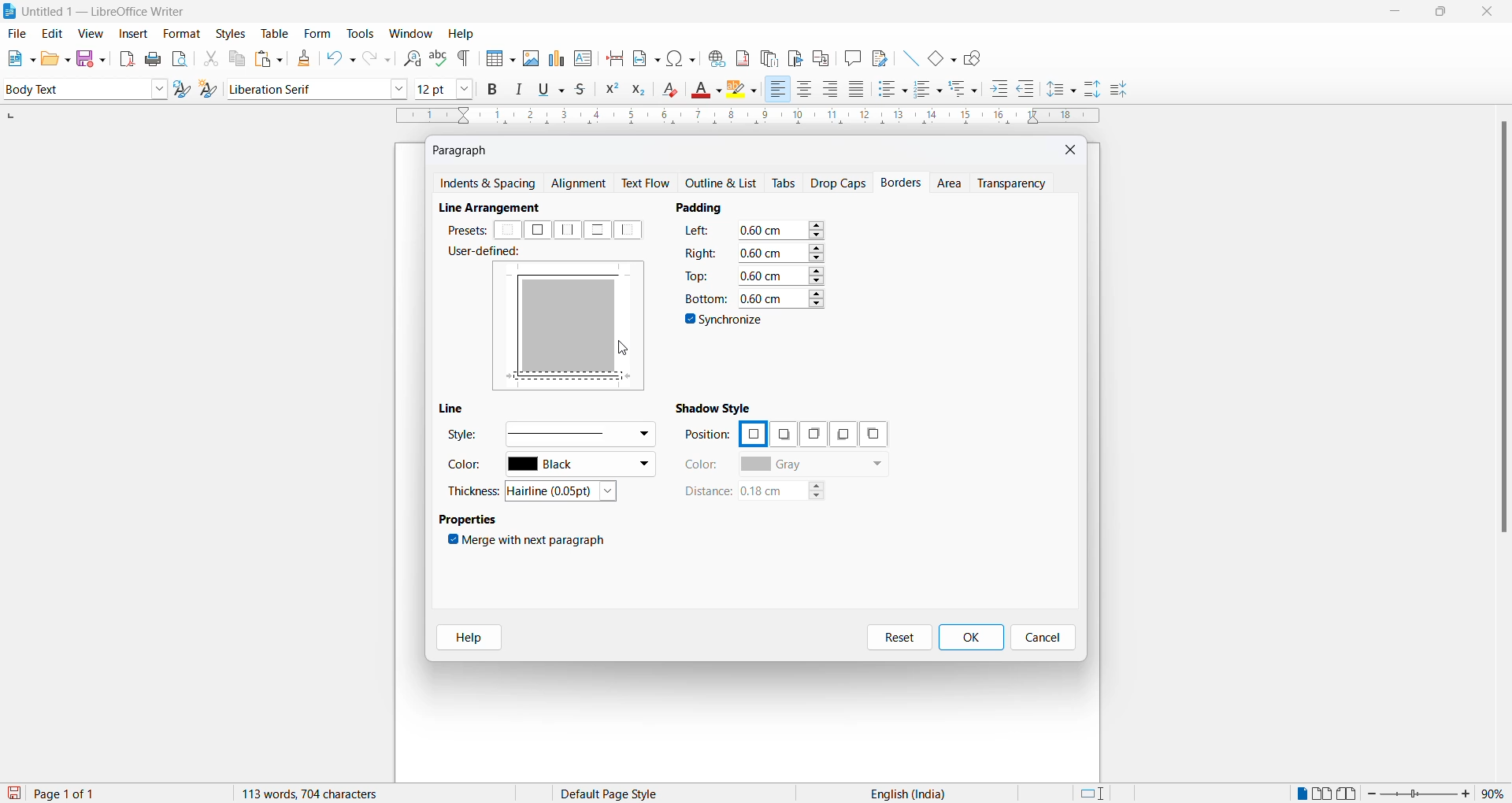 Image resolution: width=1512 pixels, height=803 pixels. What do you see at coordinates (704, 298) in the screenshot?
I see `bottom` at bounding box center [704, 298].